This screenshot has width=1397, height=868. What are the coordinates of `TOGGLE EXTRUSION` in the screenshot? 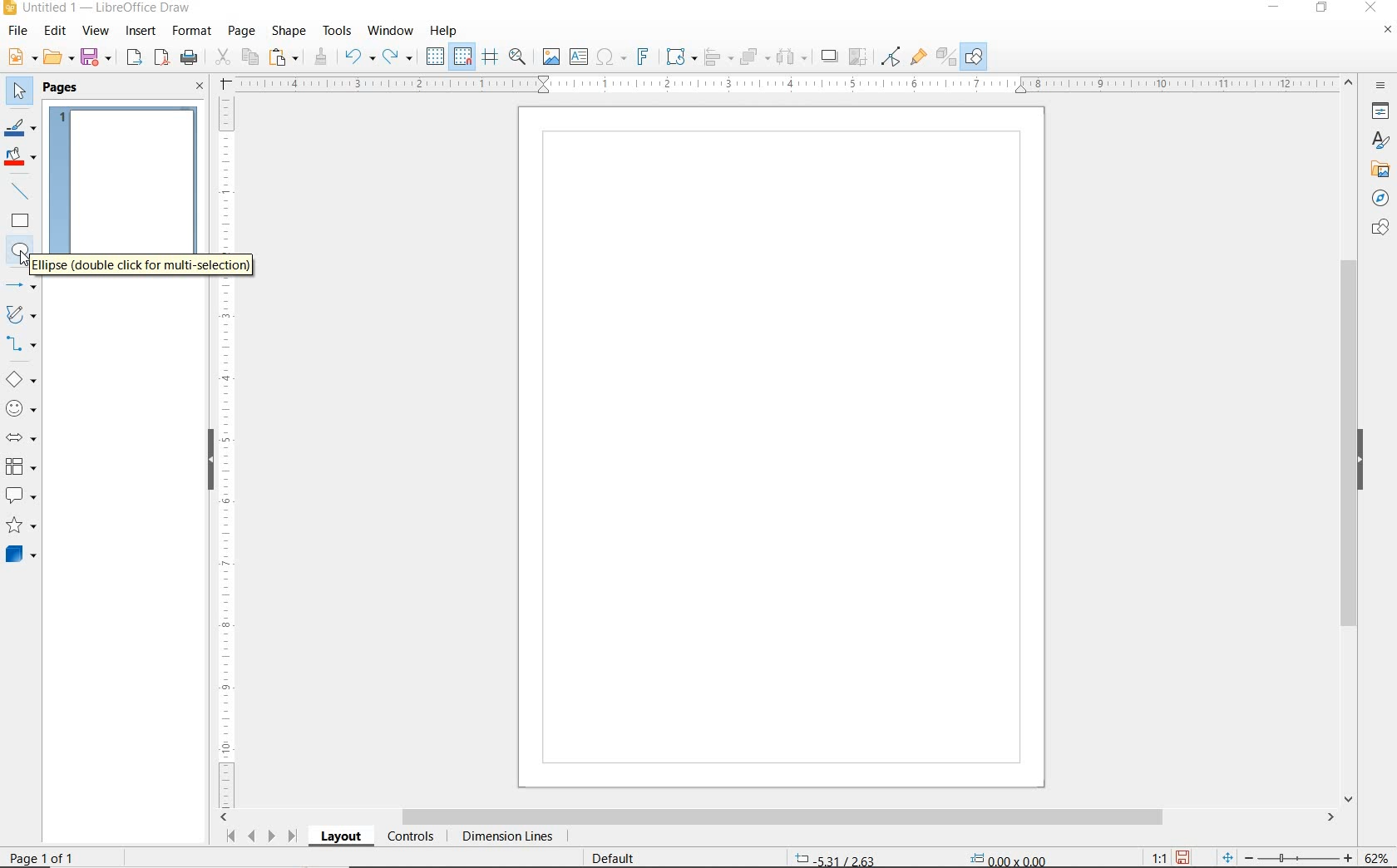 It's located at (946, 58).